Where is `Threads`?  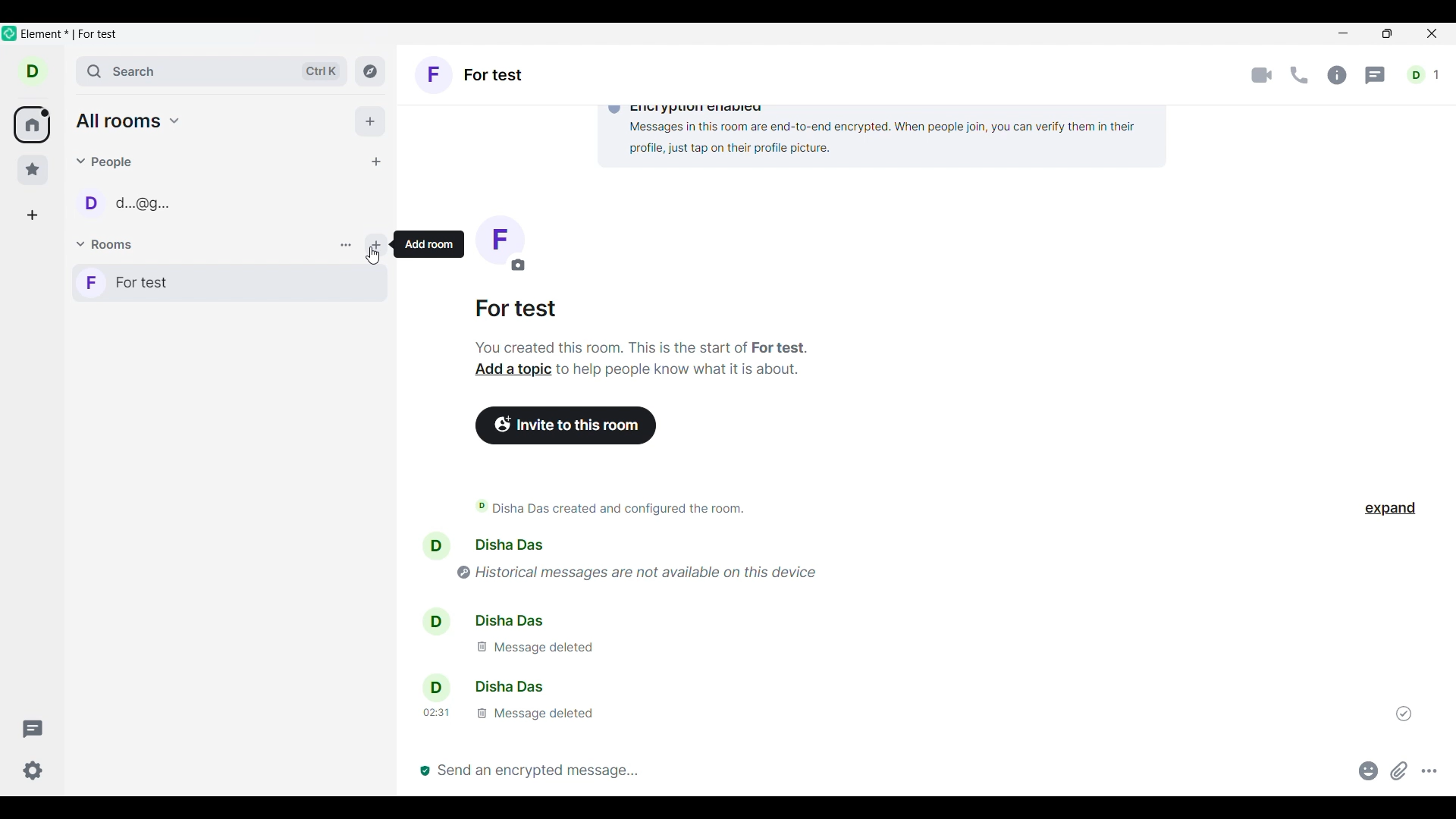 Threads is located at coordinates (1375, 76).